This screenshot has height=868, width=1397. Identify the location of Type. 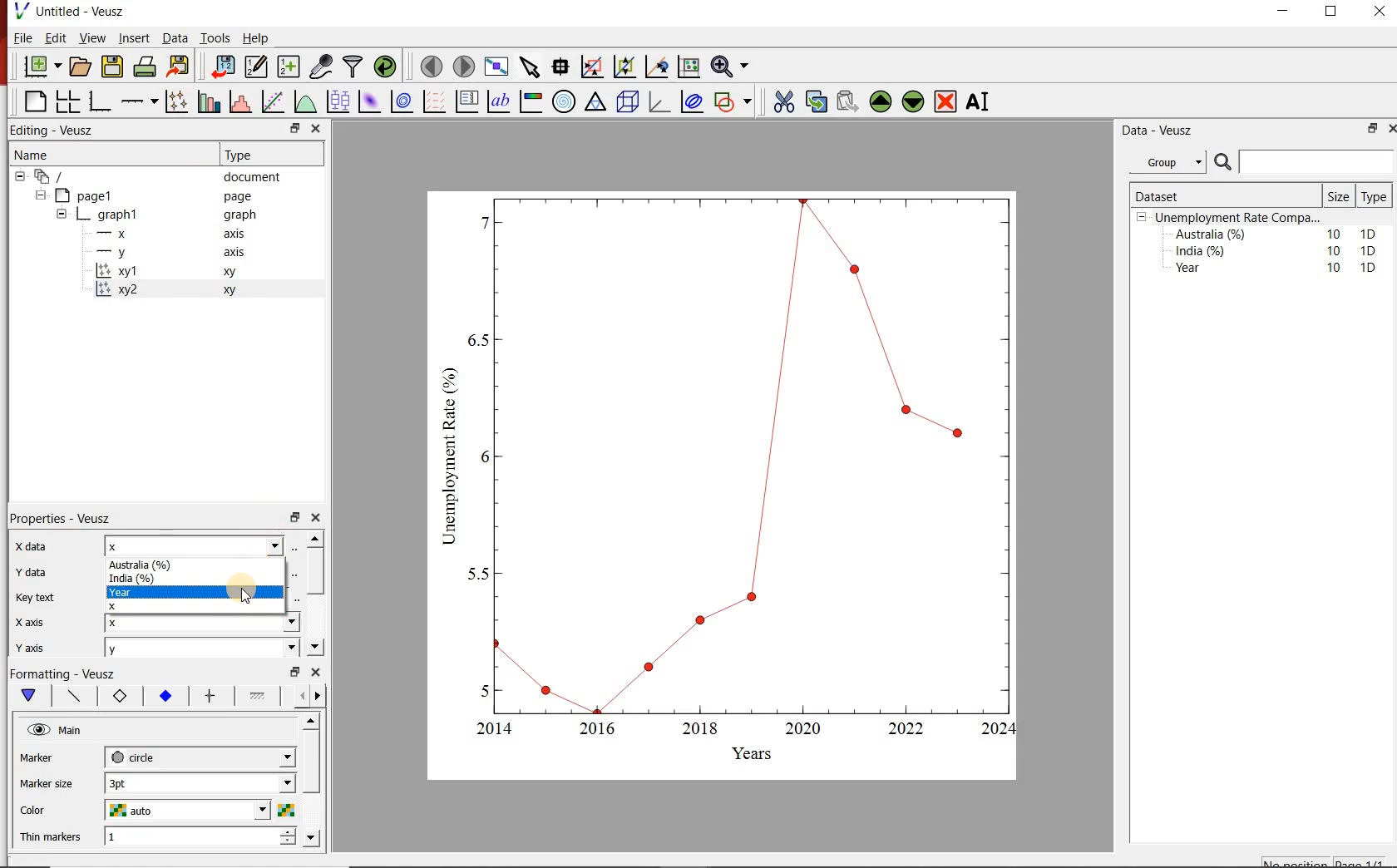
(1373, 197).